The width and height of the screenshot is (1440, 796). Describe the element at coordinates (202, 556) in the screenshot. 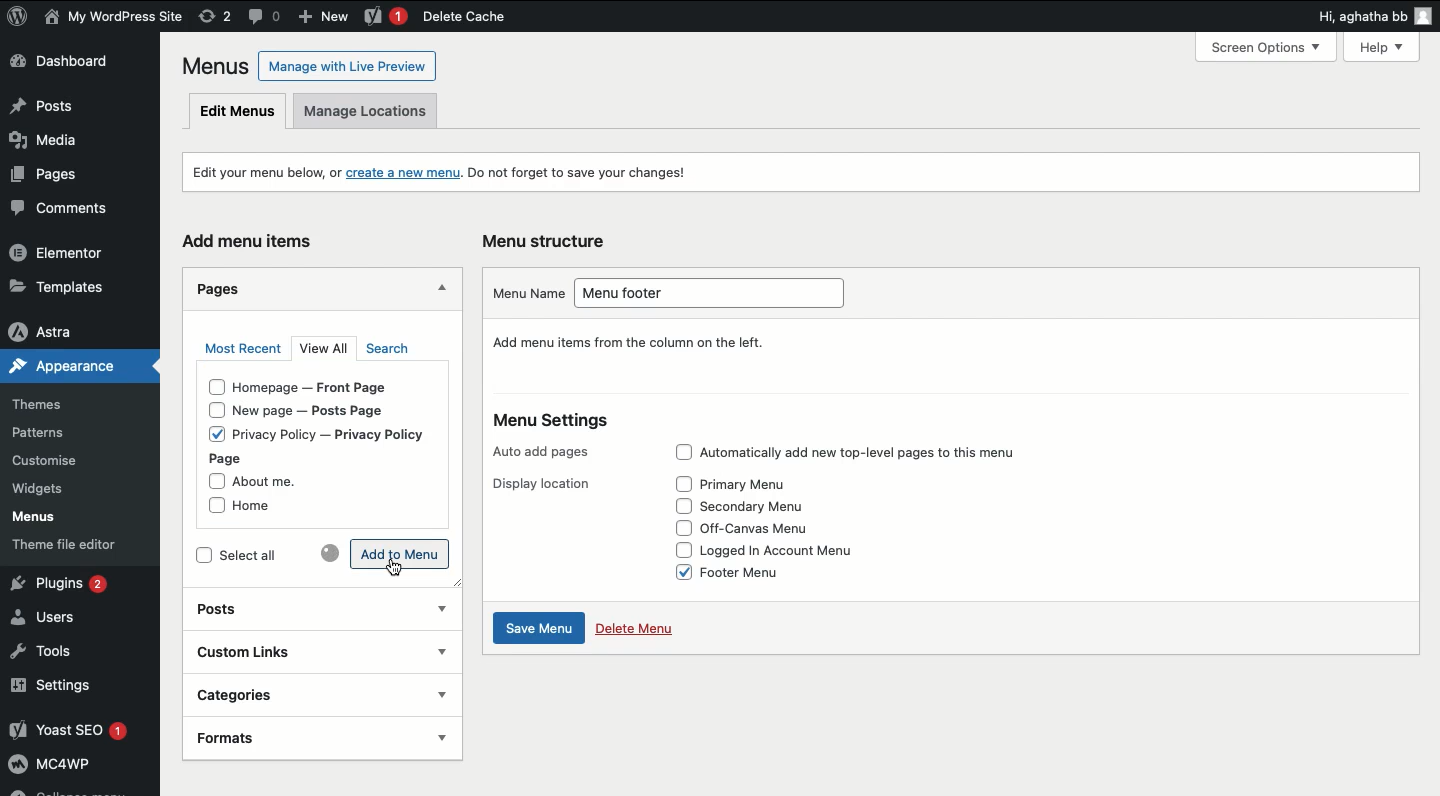

I see `checkbox` at that location.